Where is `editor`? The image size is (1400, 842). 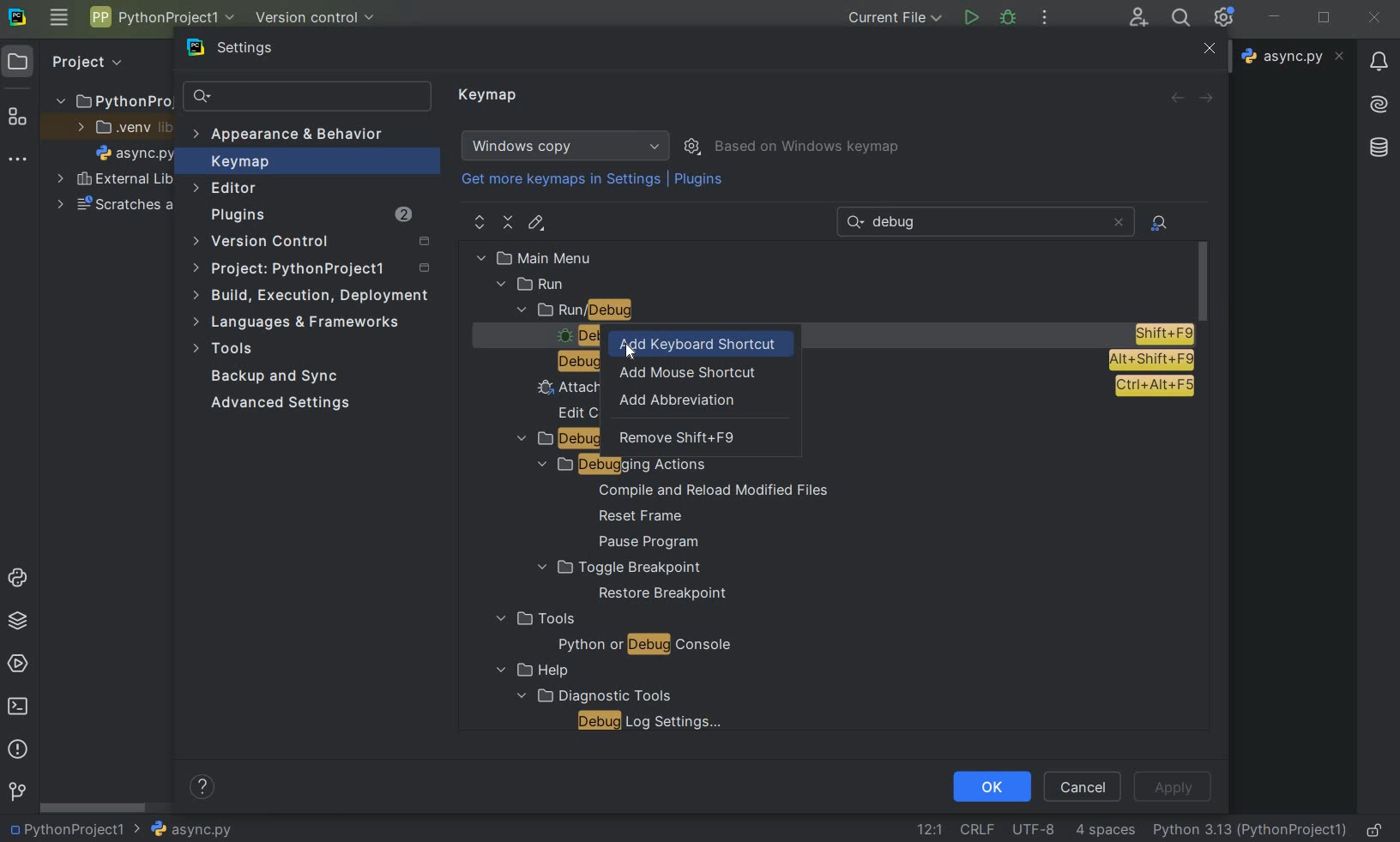 editor is located at coordinates (226, 188).